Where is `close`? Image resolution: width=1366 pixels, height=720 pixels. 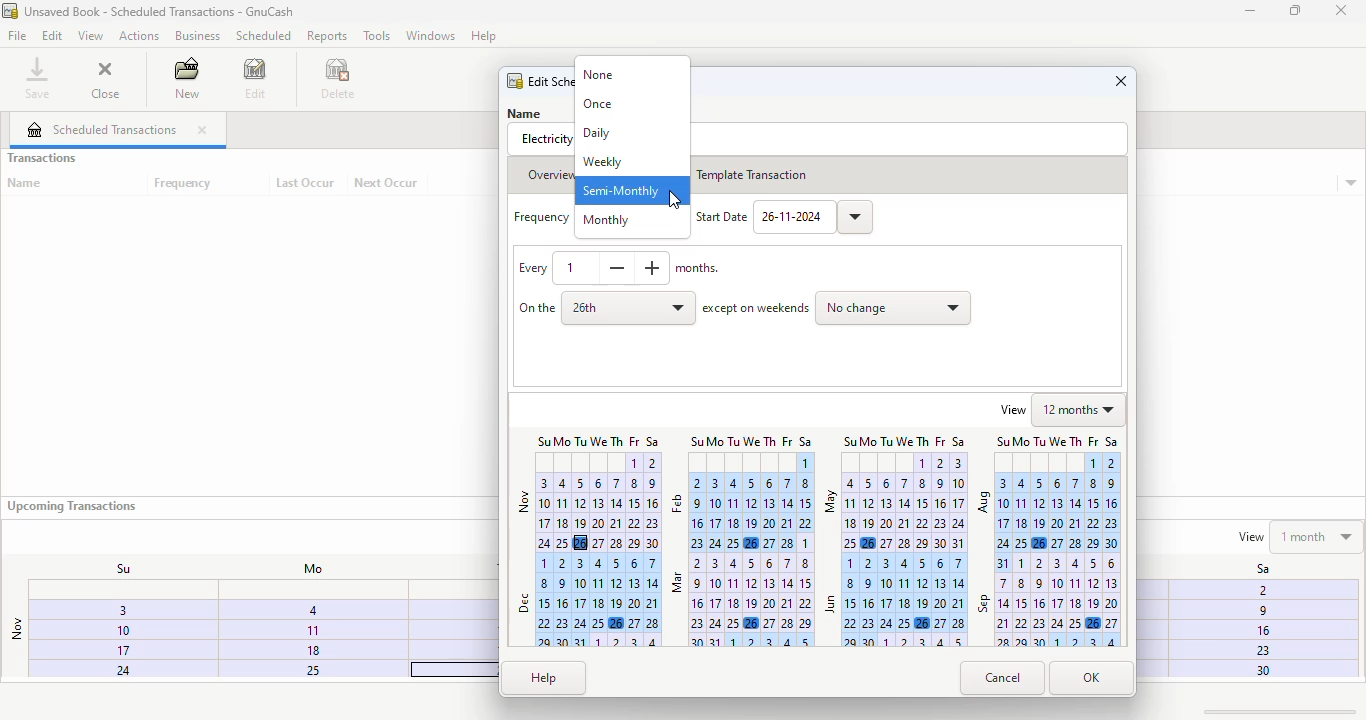 close is located at coordinates (1121, 81).